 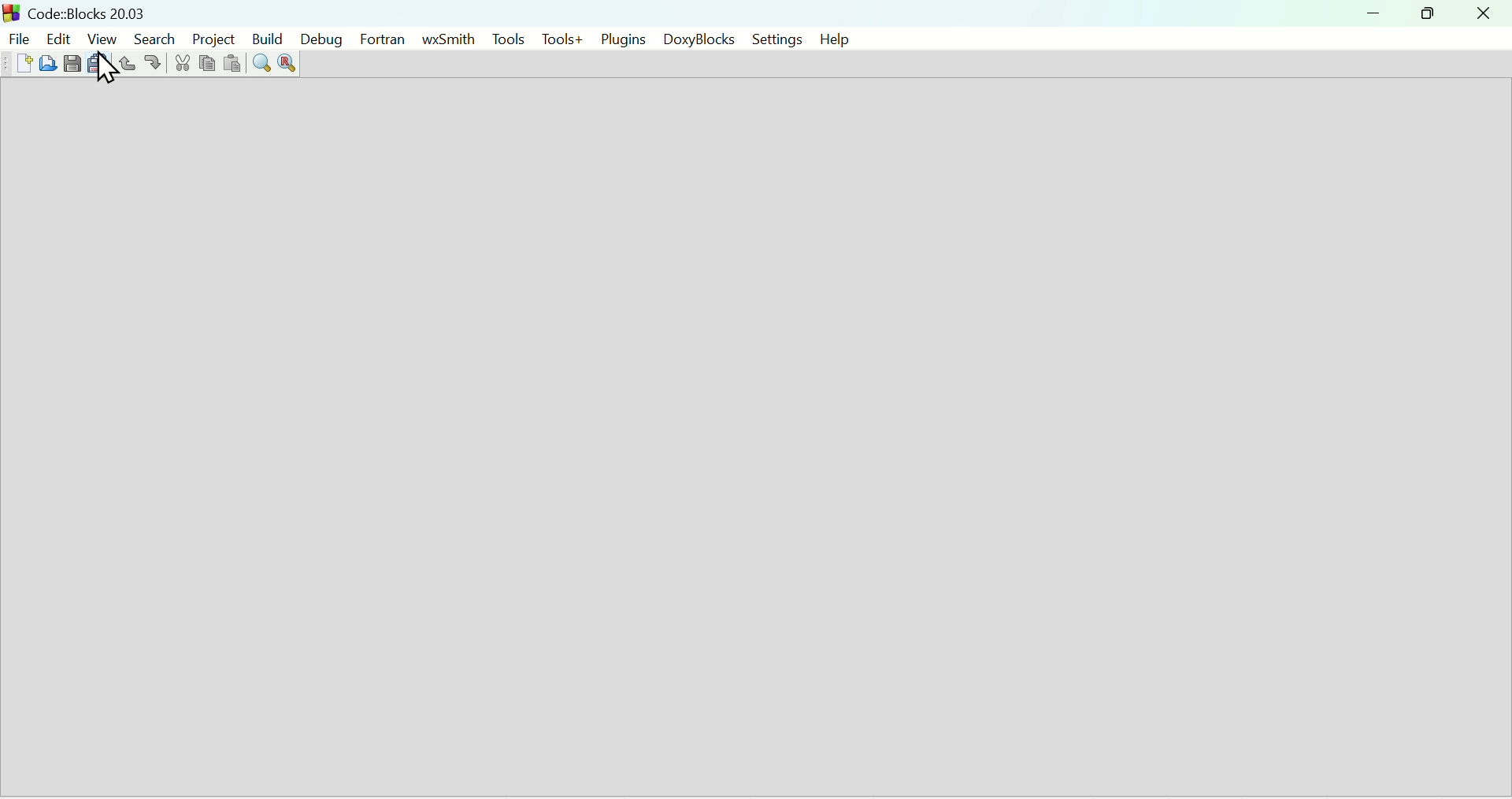 I want to click on New file, so click(x=22, y=63).